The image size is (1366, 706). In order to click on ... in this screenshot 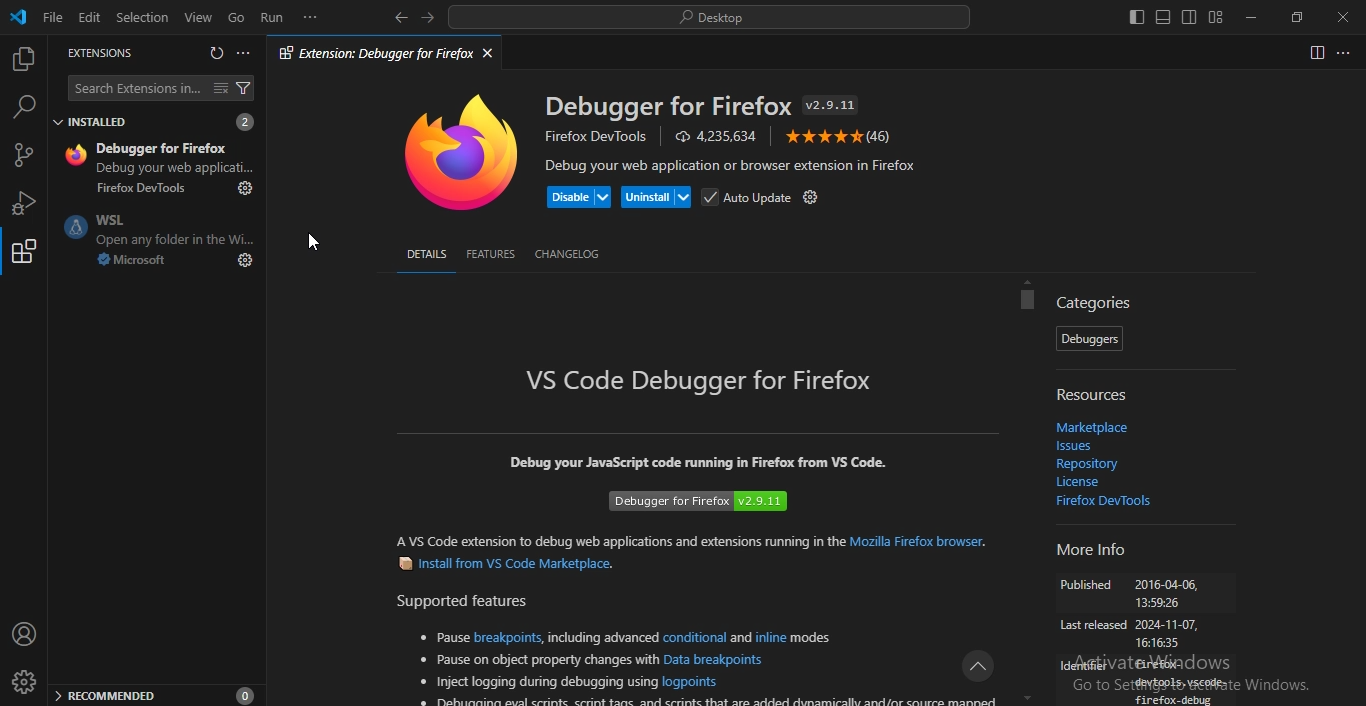, I will do `click(1344, 54)`.